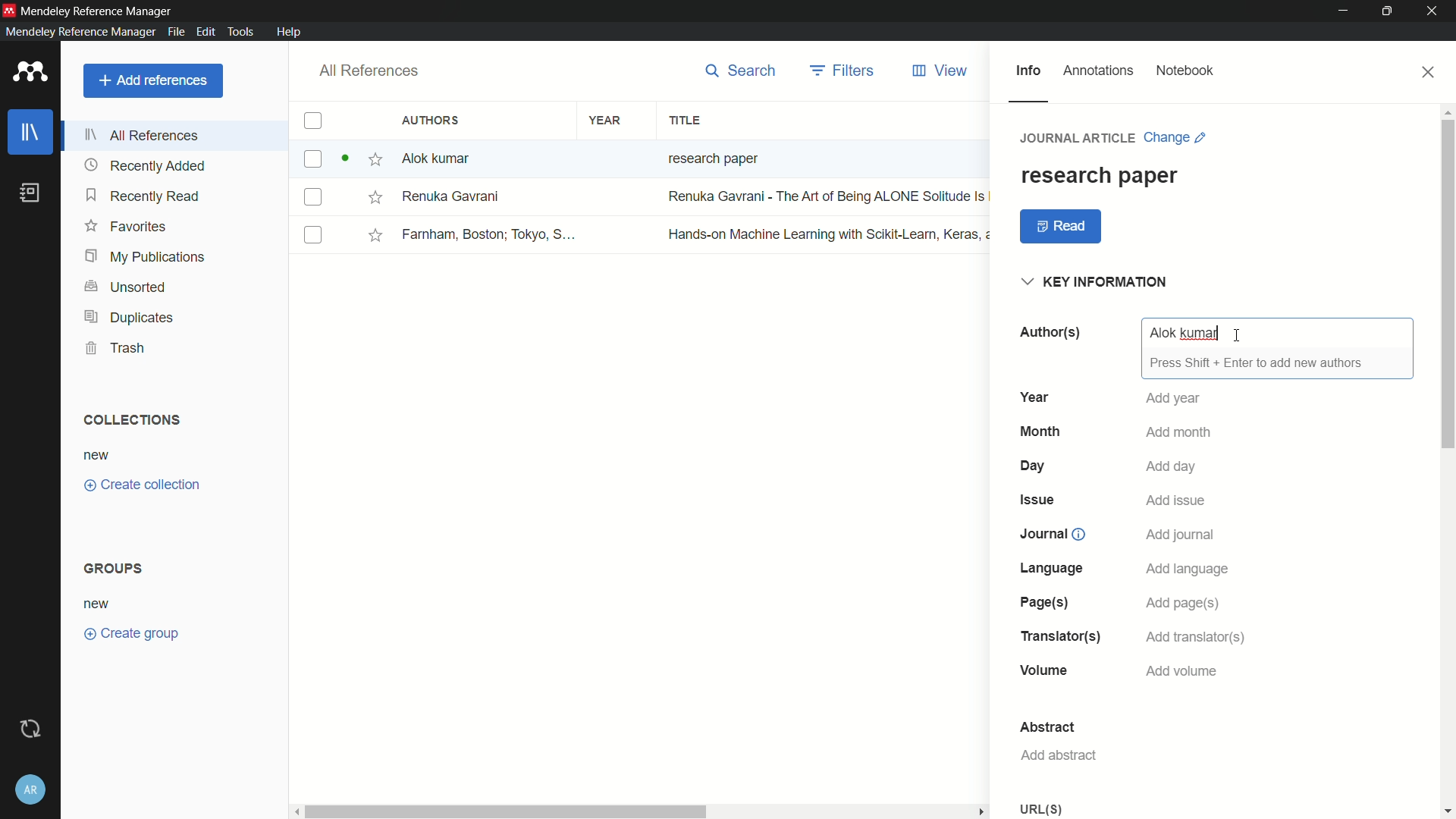 The image size is (1456, 819). What do you see at coordinates (1044, 533) in the screenshot?
I see `journal` at bounding box center [1044, 533].